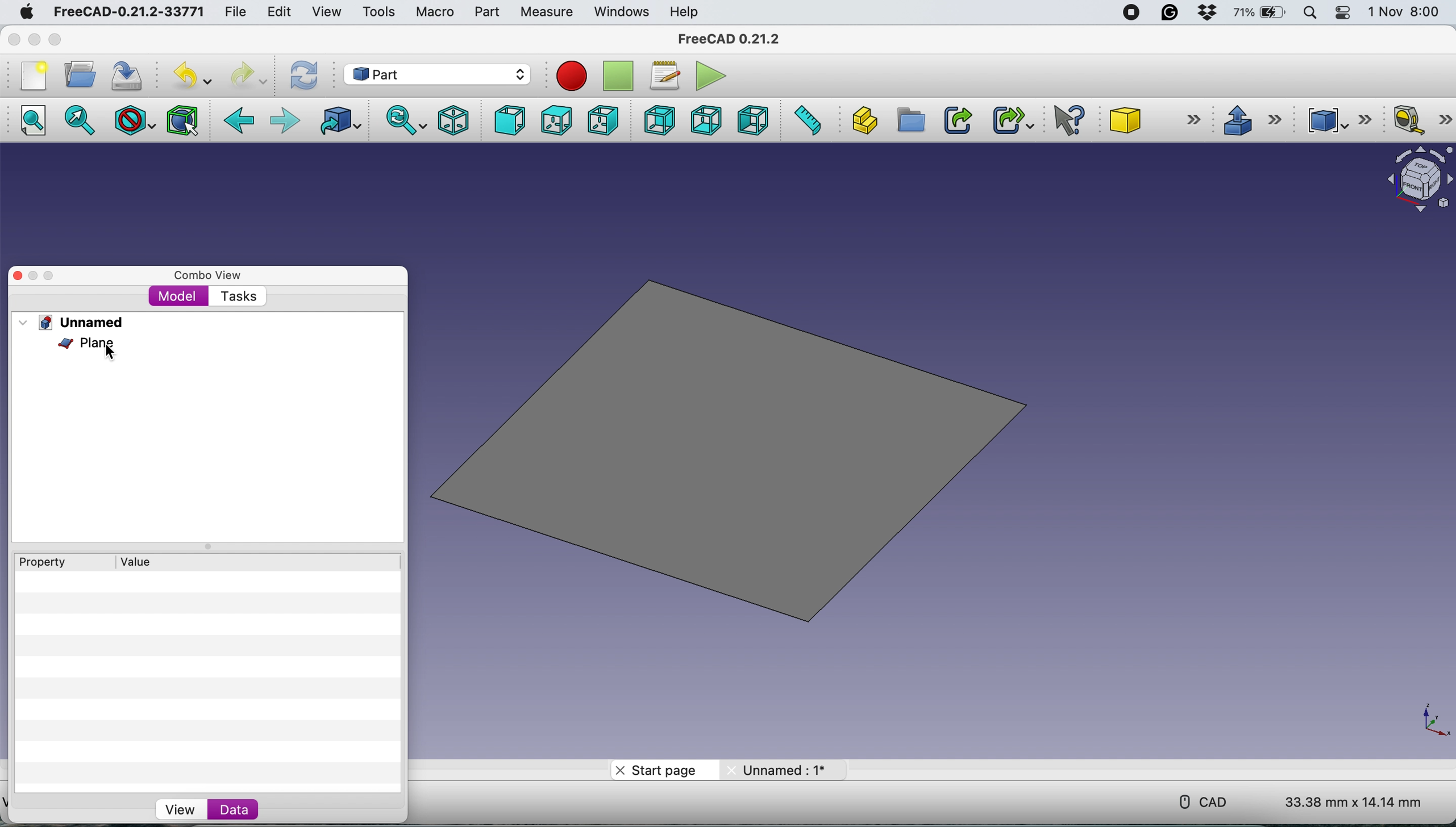 The image size is (1456, 827). Describe the element at coordinates (126, 12) in the screenshot. I see `FreeCAD-0.21.2-33771` at that location.